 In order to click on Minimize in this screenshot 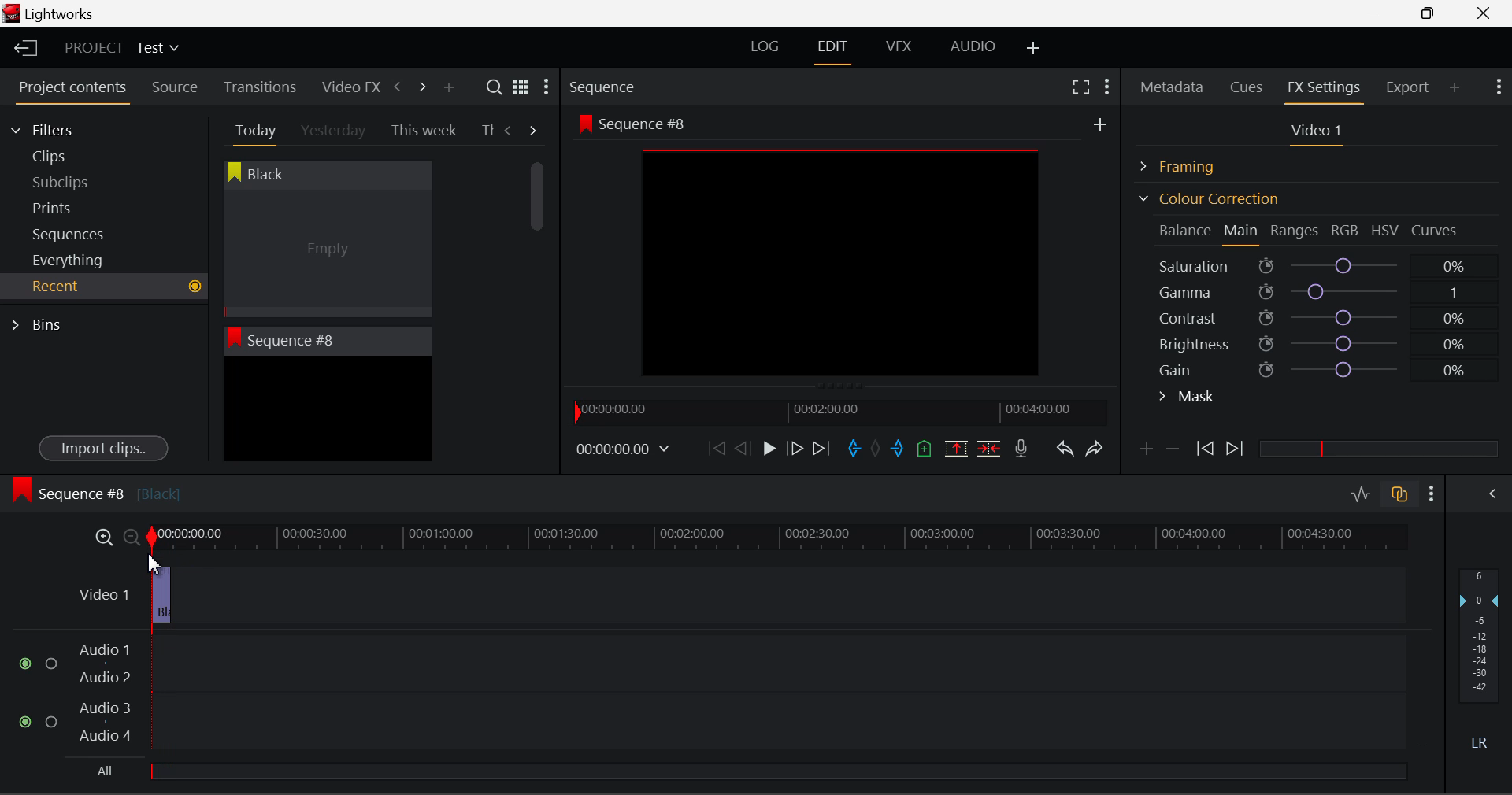, I will do `click(1432, 13)`.